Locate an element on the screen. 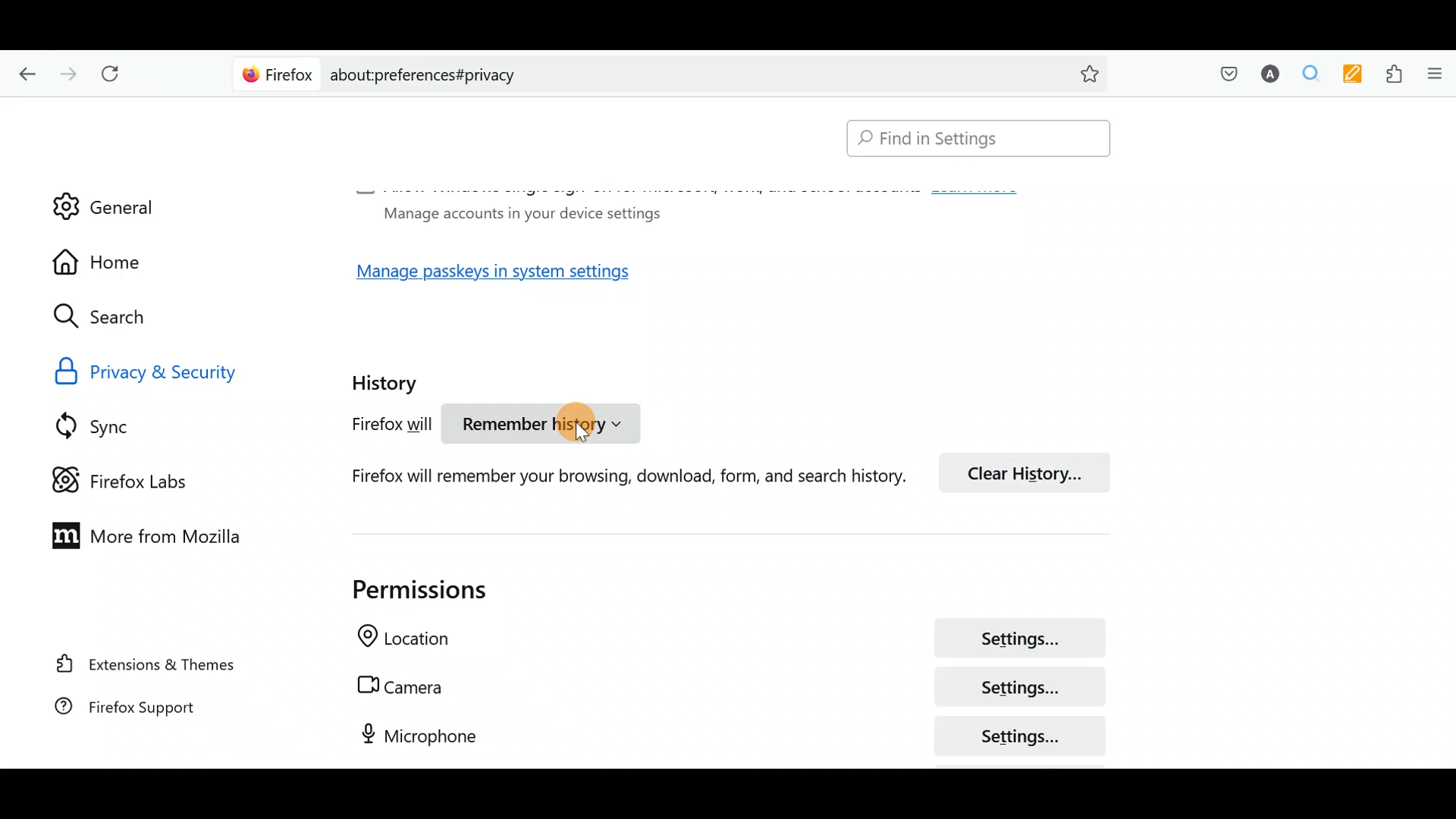  Manage accounts in your device settings is located at coordinates (517, 212).